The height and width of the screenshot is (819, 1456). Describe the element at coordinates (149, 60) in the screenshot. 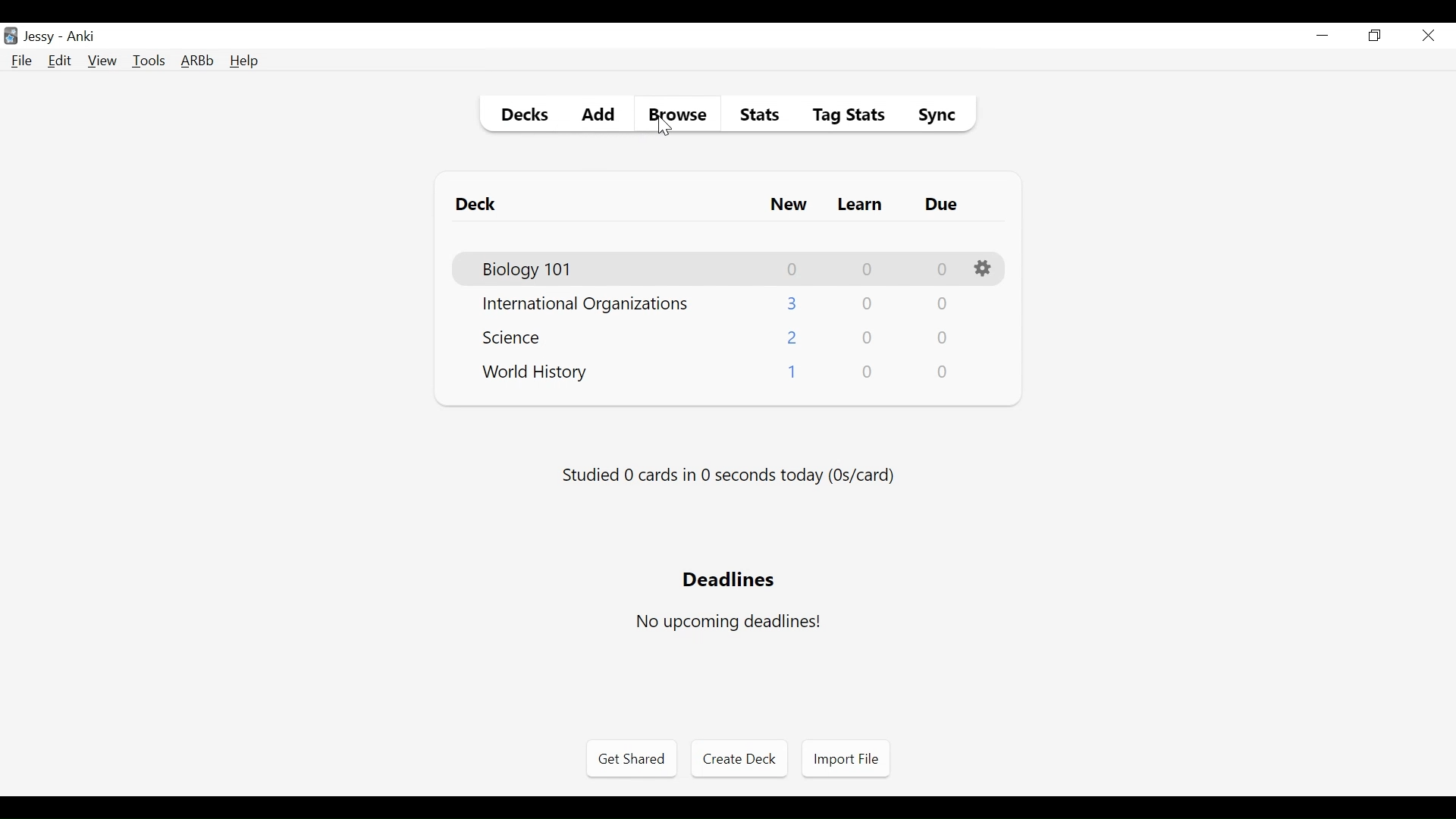

I see `Tools` at that location.